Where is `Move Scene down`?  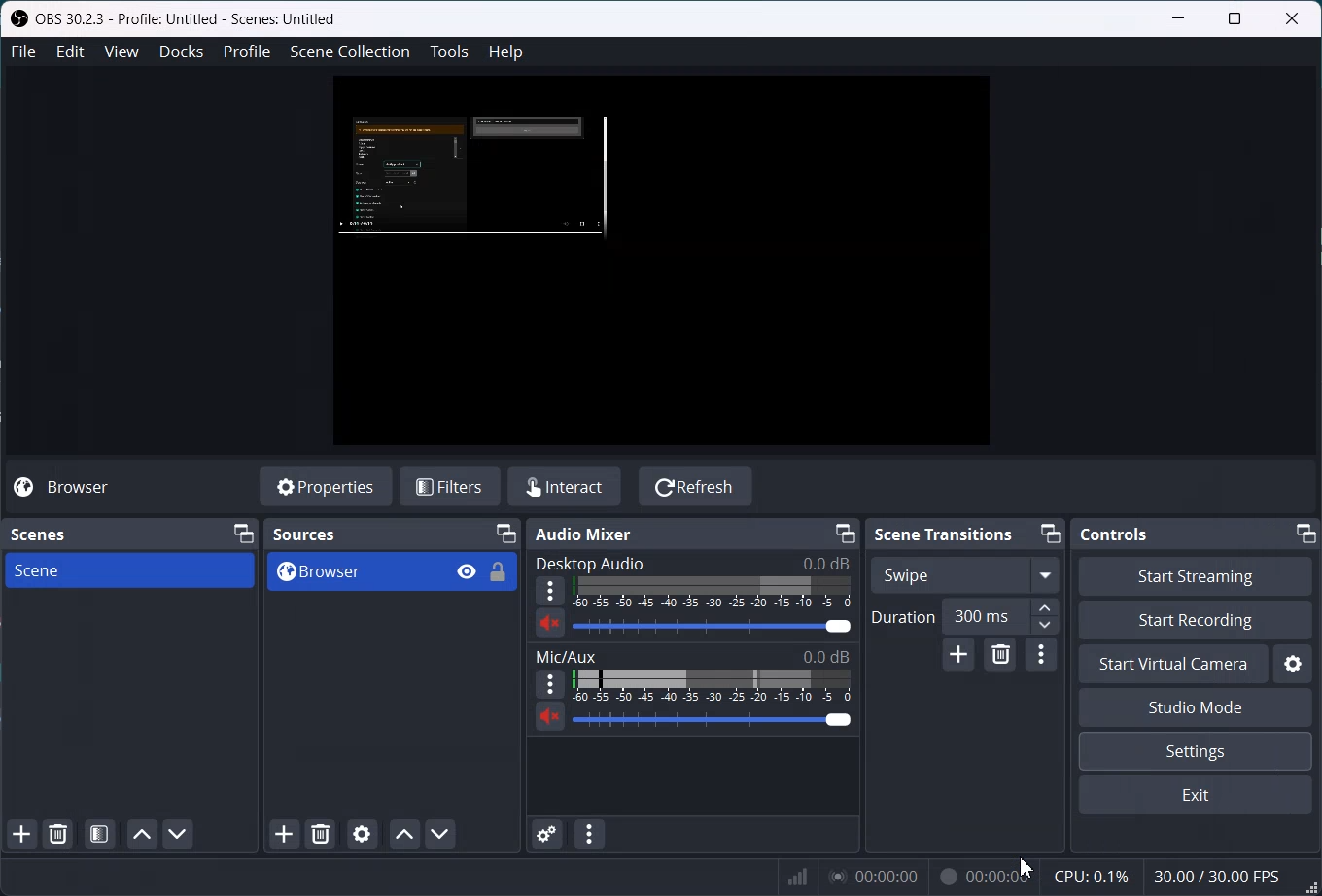
Move Scene down is located at coordinates (180, 834).